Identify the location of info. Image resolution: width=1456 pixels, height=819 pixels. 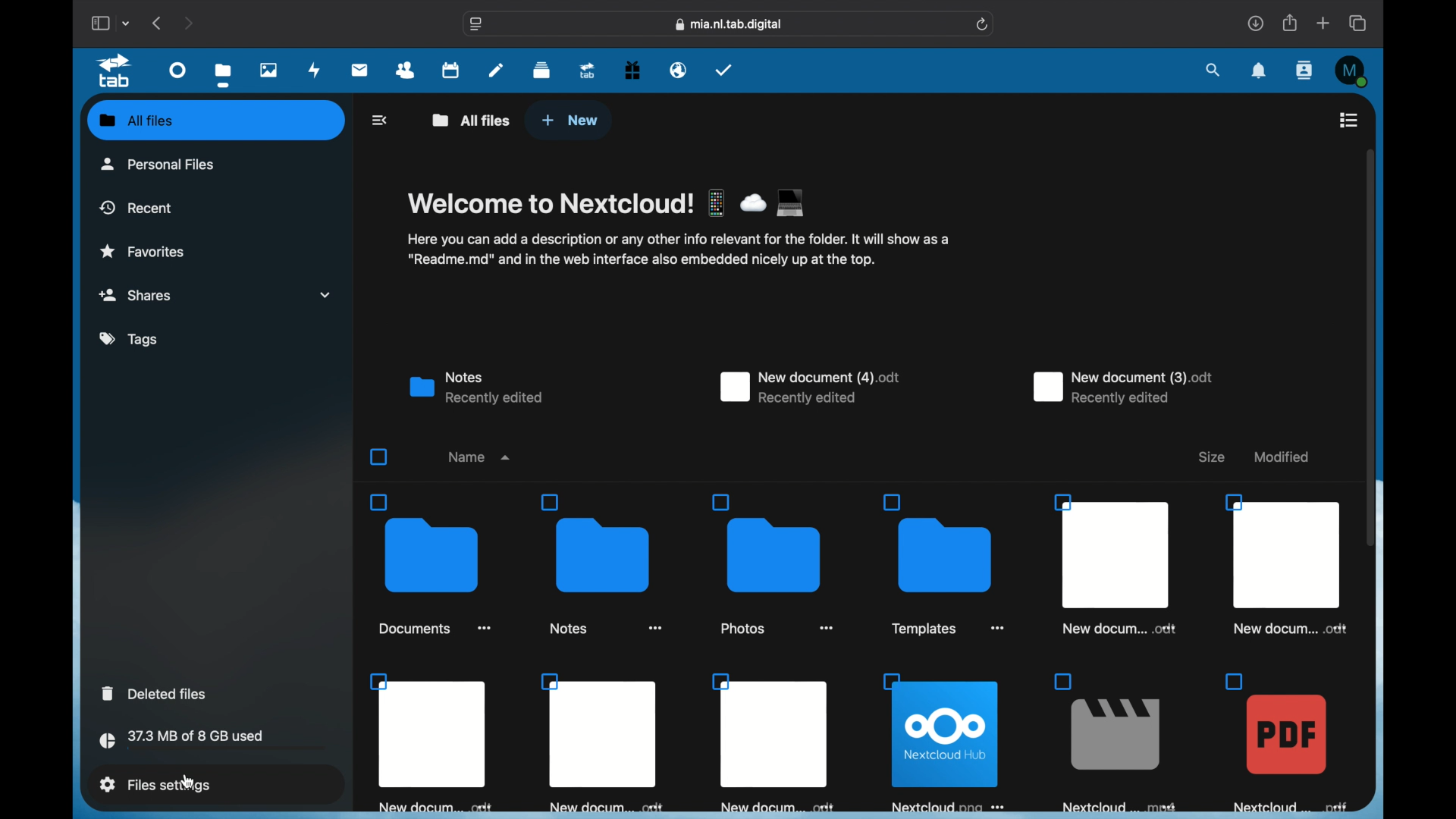
(676, 250).